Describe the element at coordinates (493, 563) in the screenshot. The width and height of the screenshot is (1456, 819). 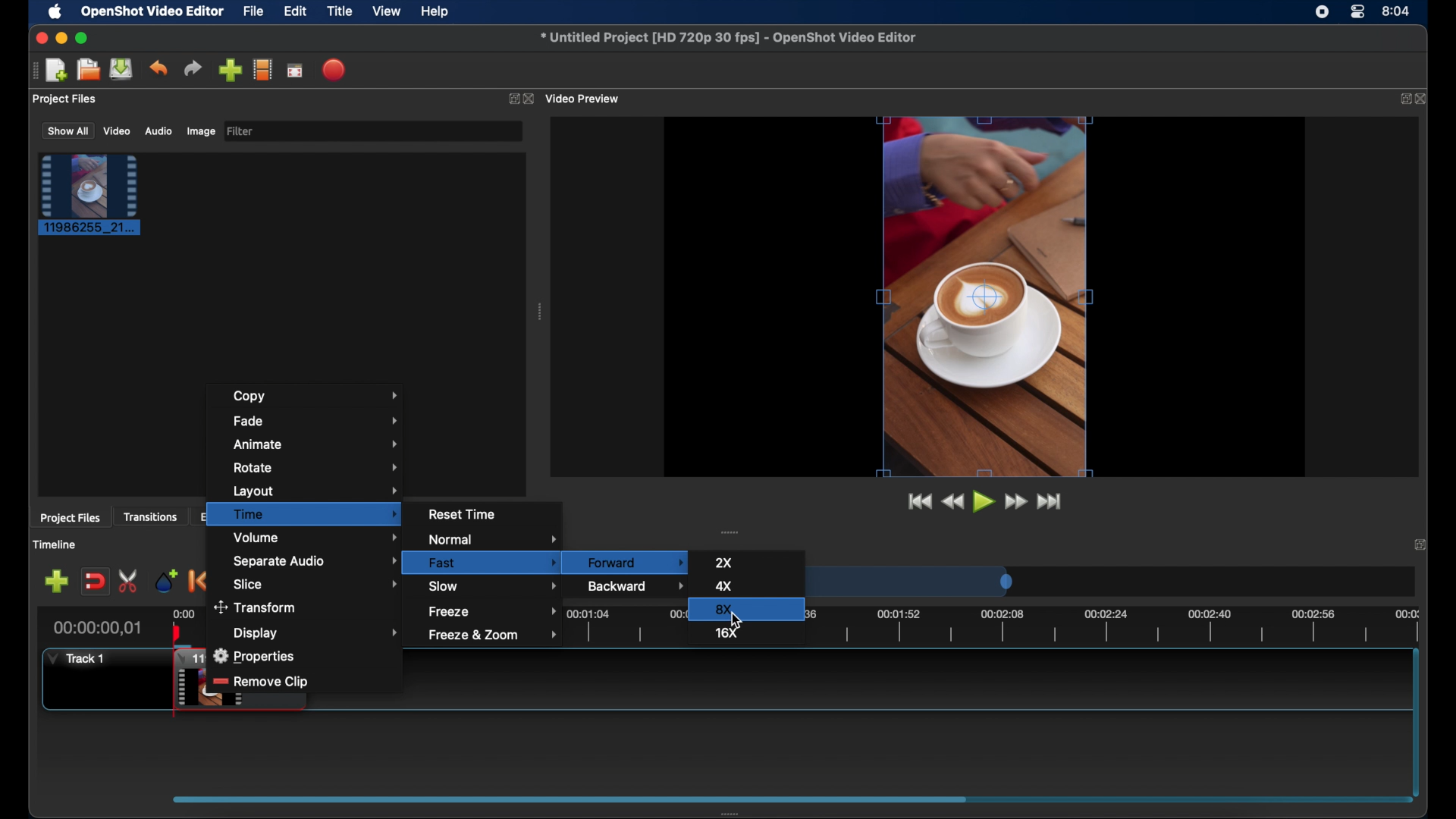
I see `fastmenu` at that location.